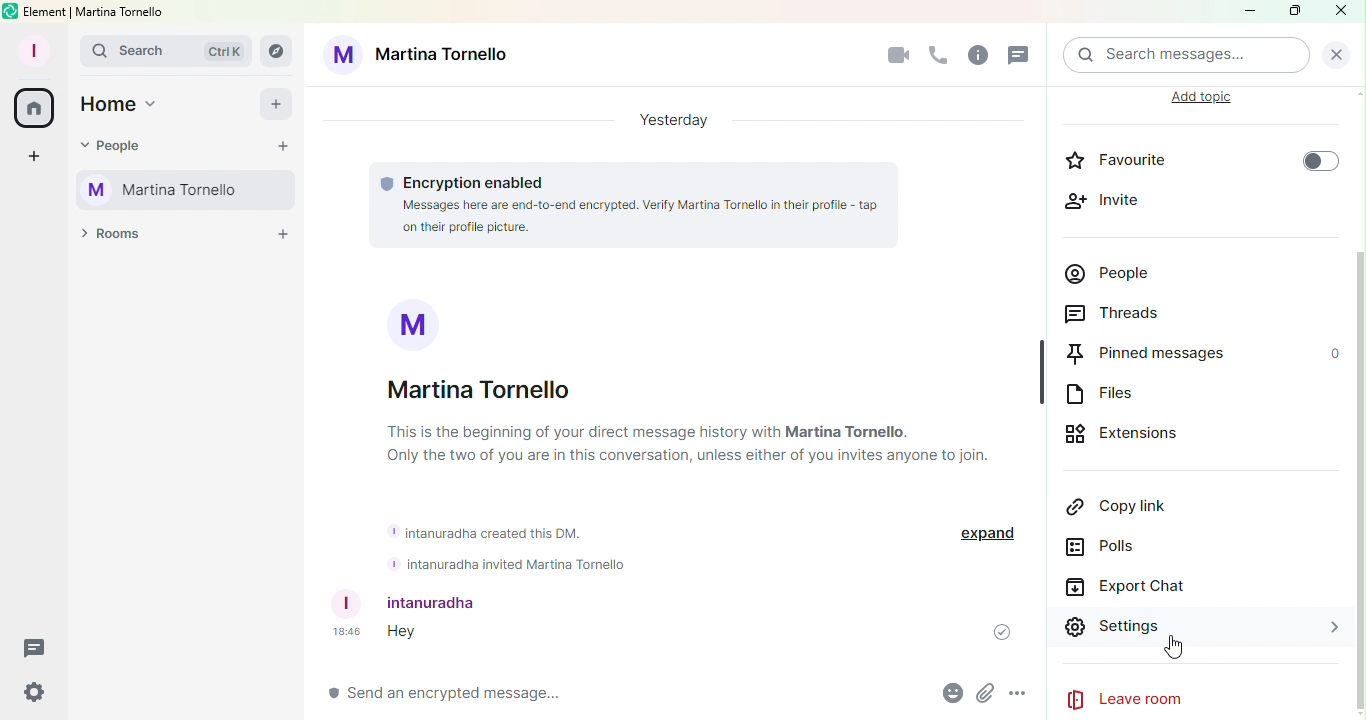  I want to click on Martina Tornello, so click(180, 187).